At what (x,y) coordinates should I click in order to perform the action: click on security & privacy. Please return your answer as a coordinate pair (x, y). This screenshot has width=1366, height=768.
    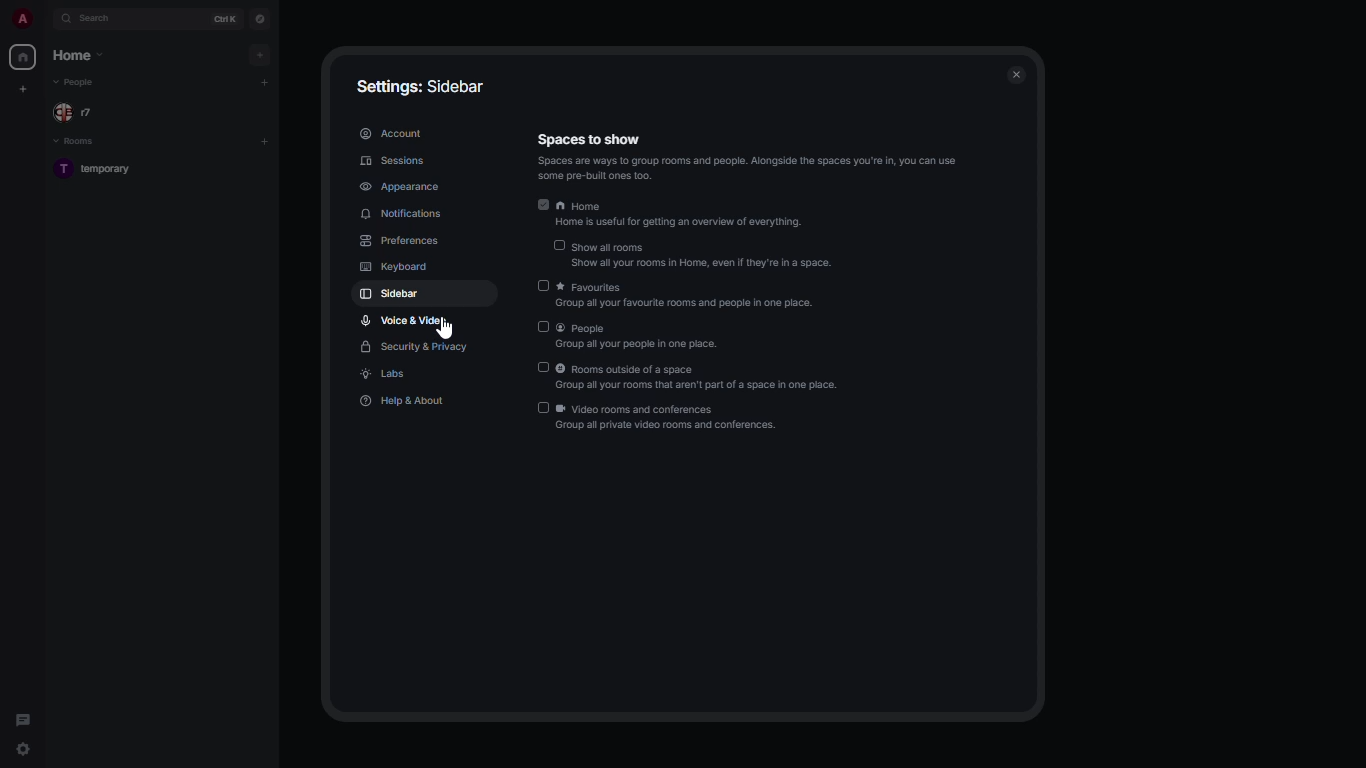
    Looking at the image, I should click on (416, 348).